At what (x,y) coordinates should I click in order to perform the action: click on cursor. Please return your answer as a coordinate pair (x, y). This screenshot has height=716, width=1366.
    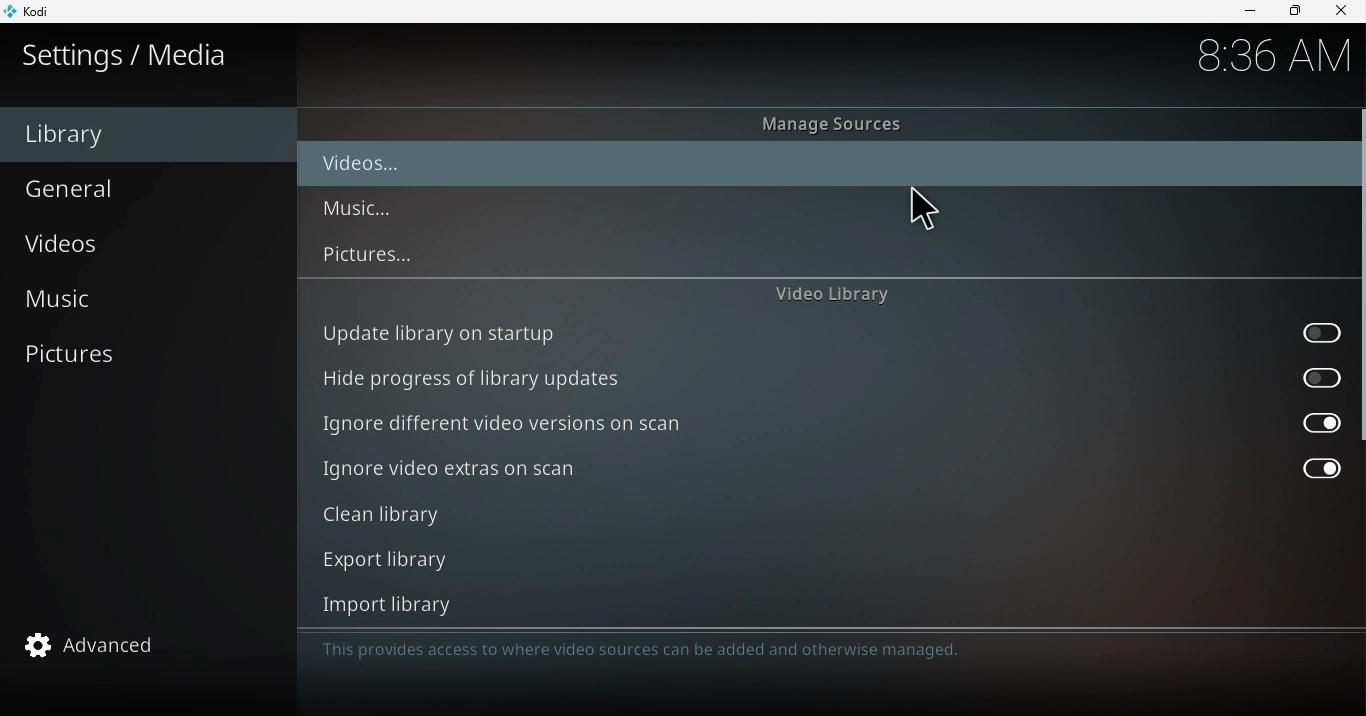
    Looking at the image, I should click on (927, 212).